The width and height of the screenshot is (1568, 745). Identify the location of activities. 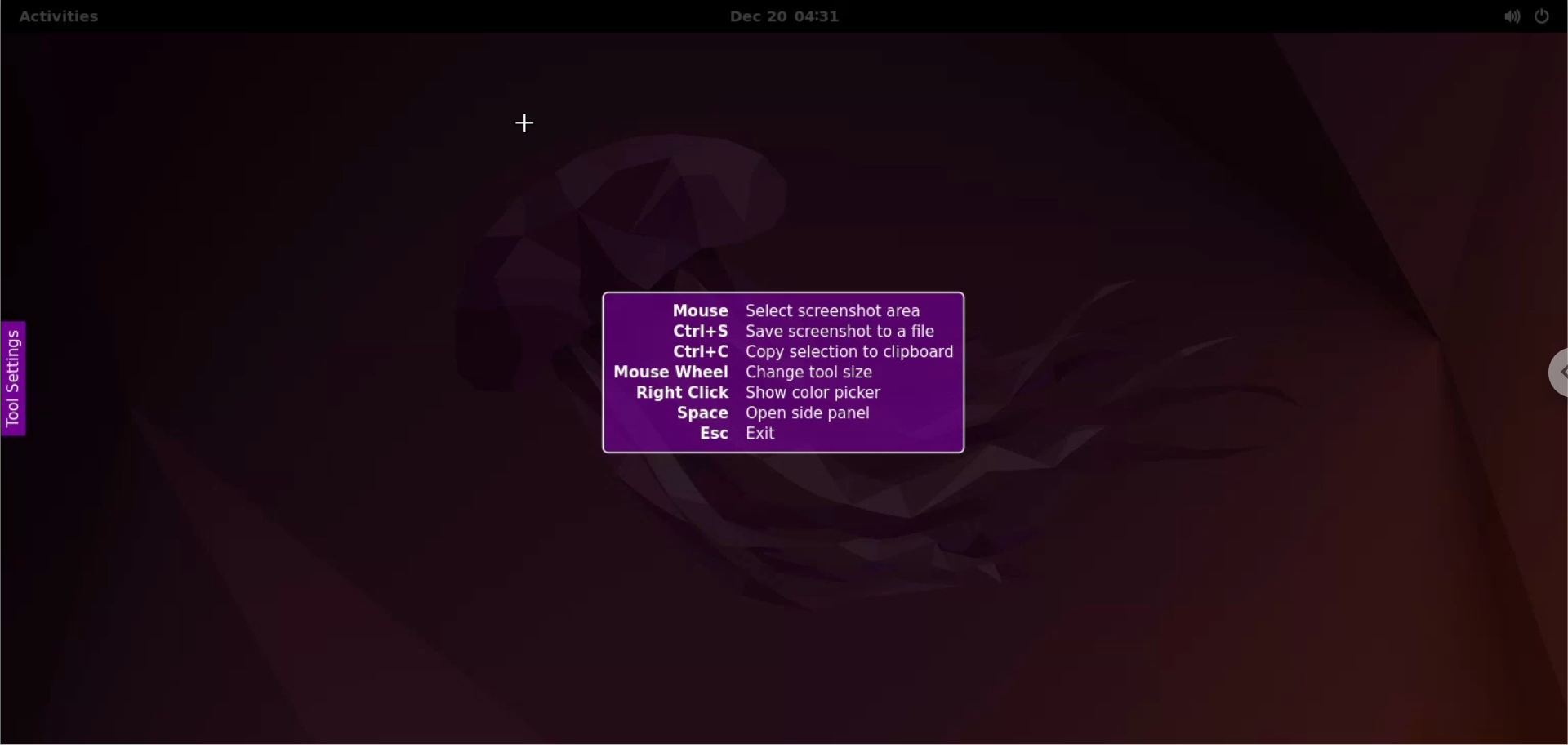
(65, 16).